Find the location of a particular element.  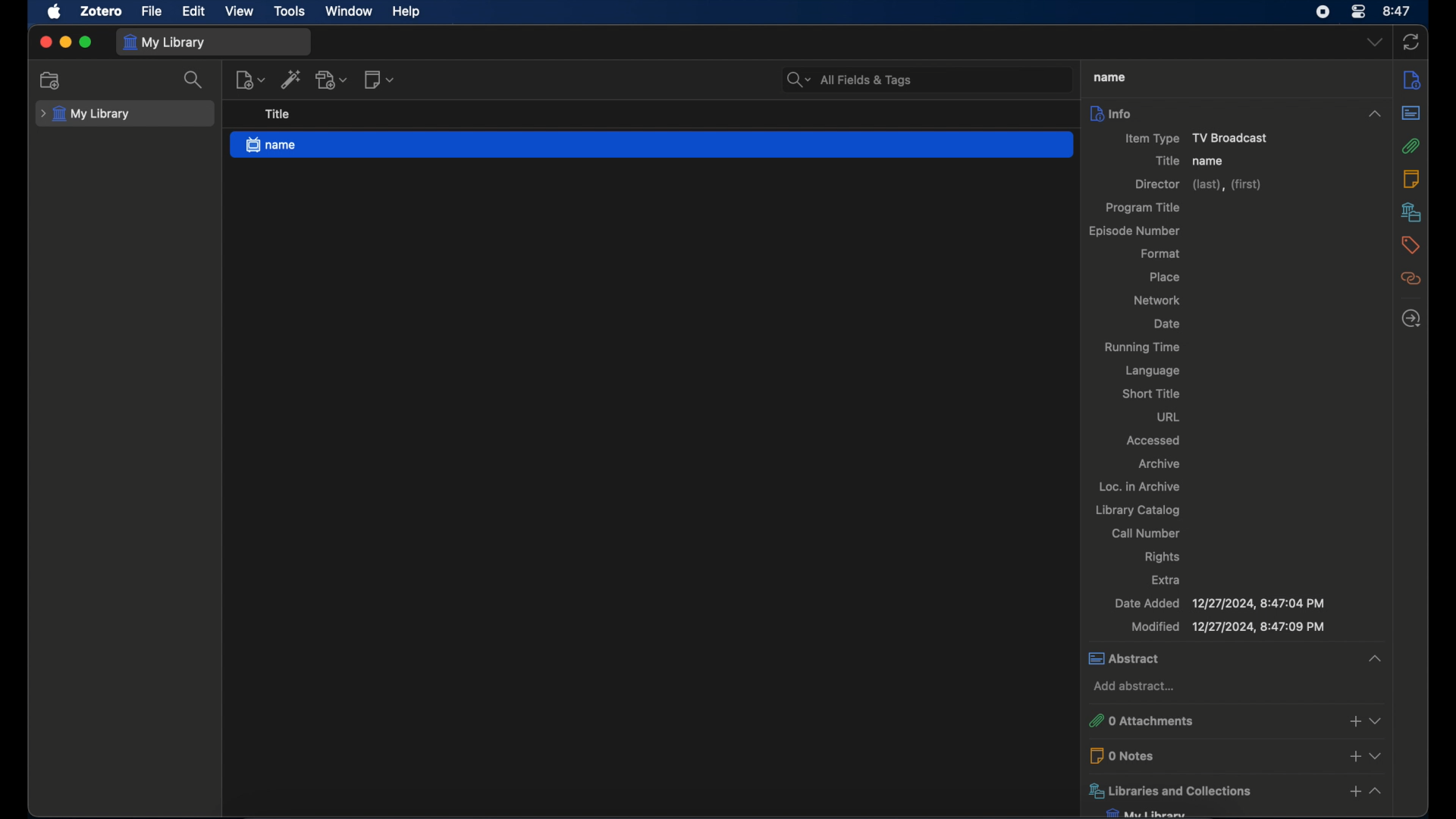

modified is located at coordinates (1228, 627).